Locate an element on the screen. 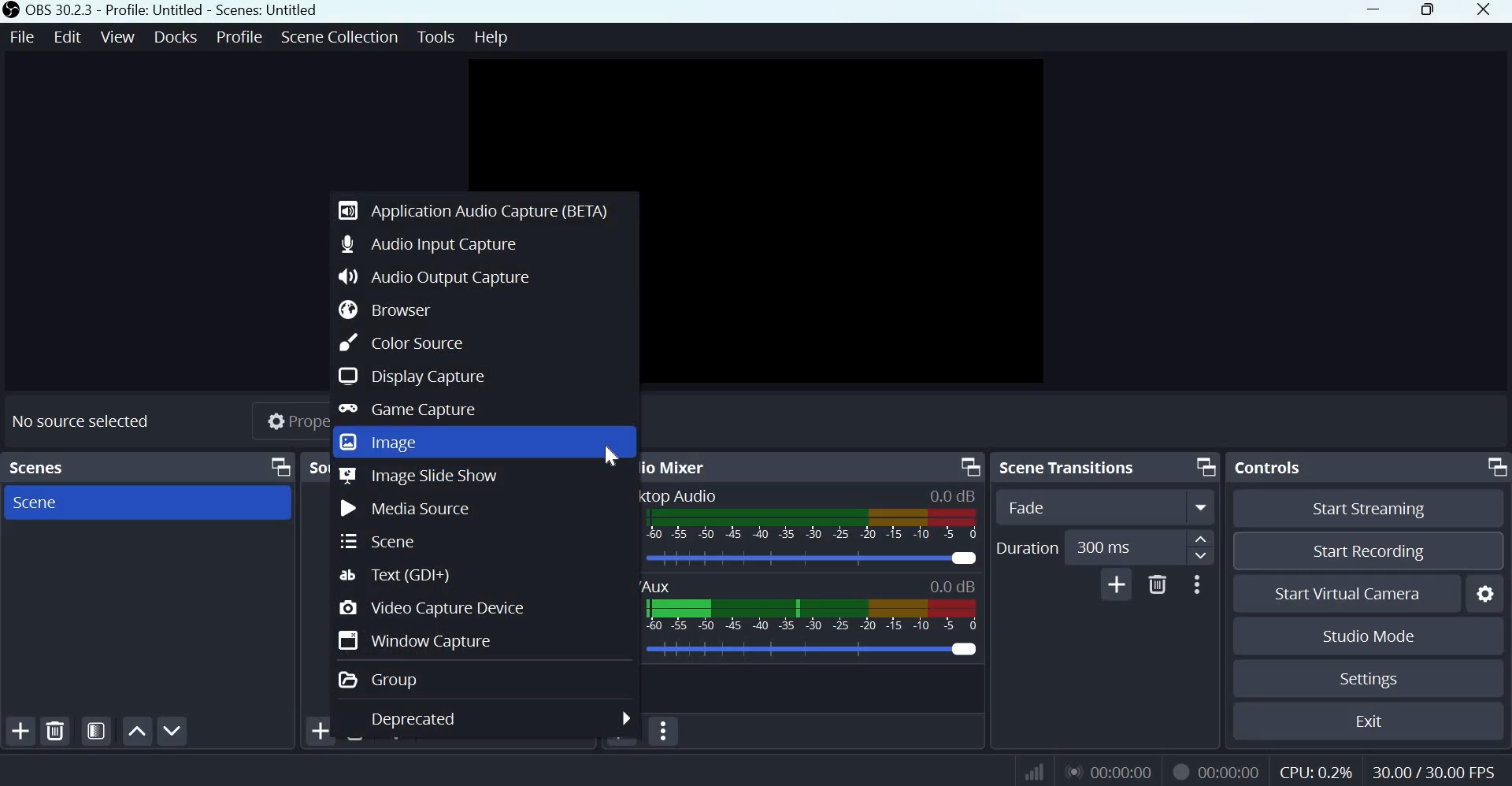  Add scene is located at coordinates (23, 730).